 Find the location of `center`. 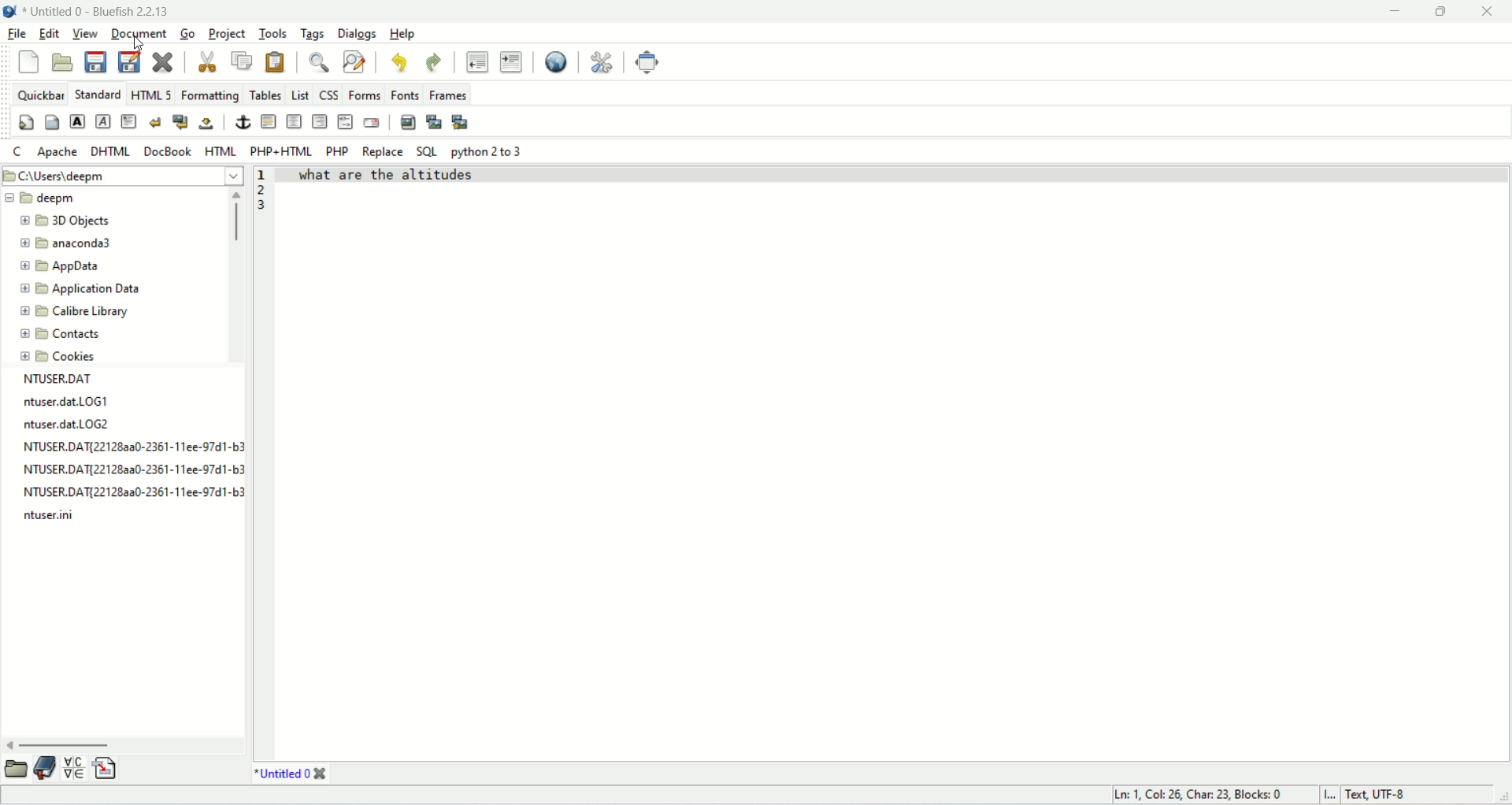

center is located at coordinates (295, 122).